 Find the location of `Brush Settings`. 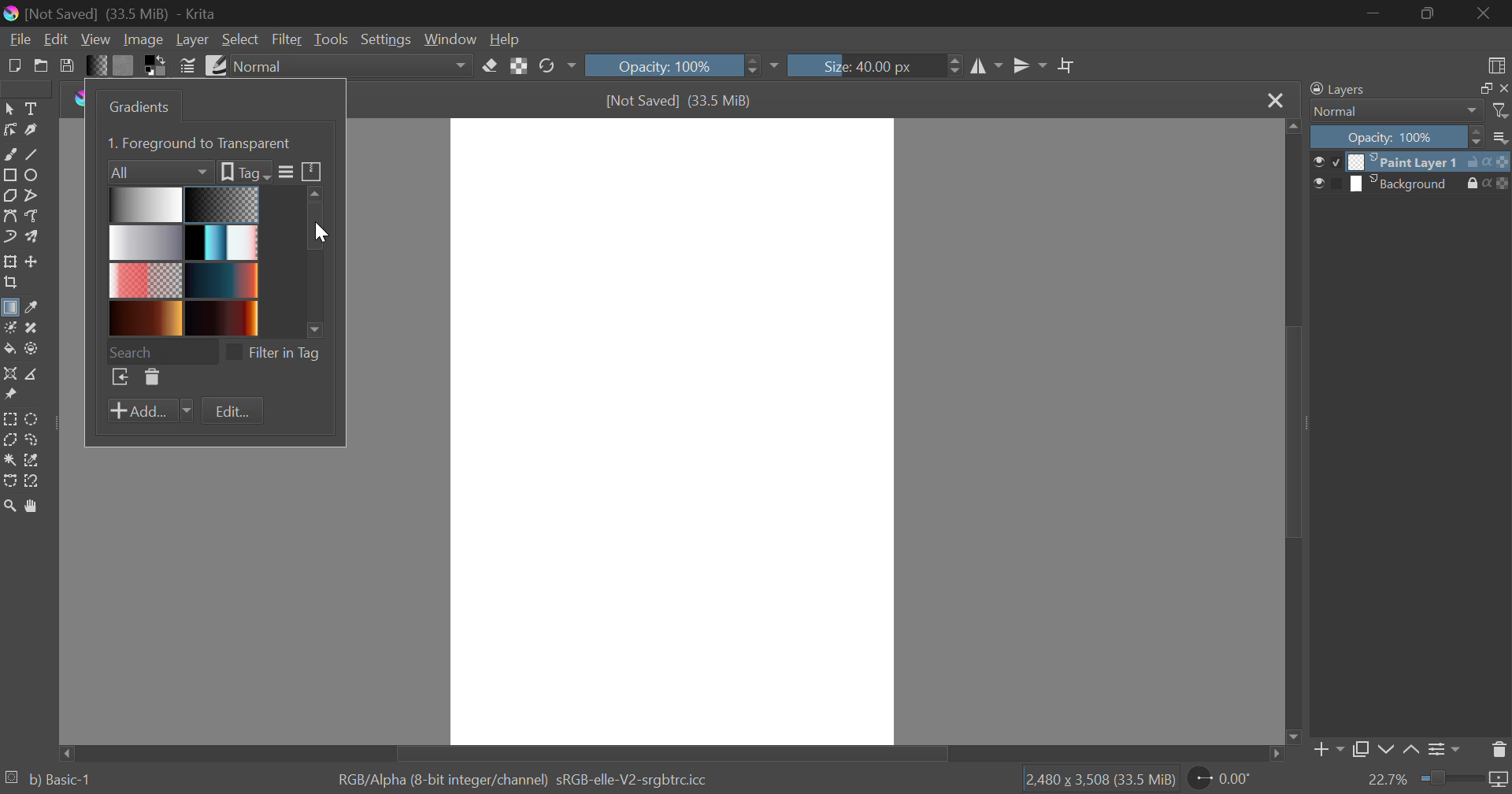

Brush Settings is located at coordinates (187, 65).